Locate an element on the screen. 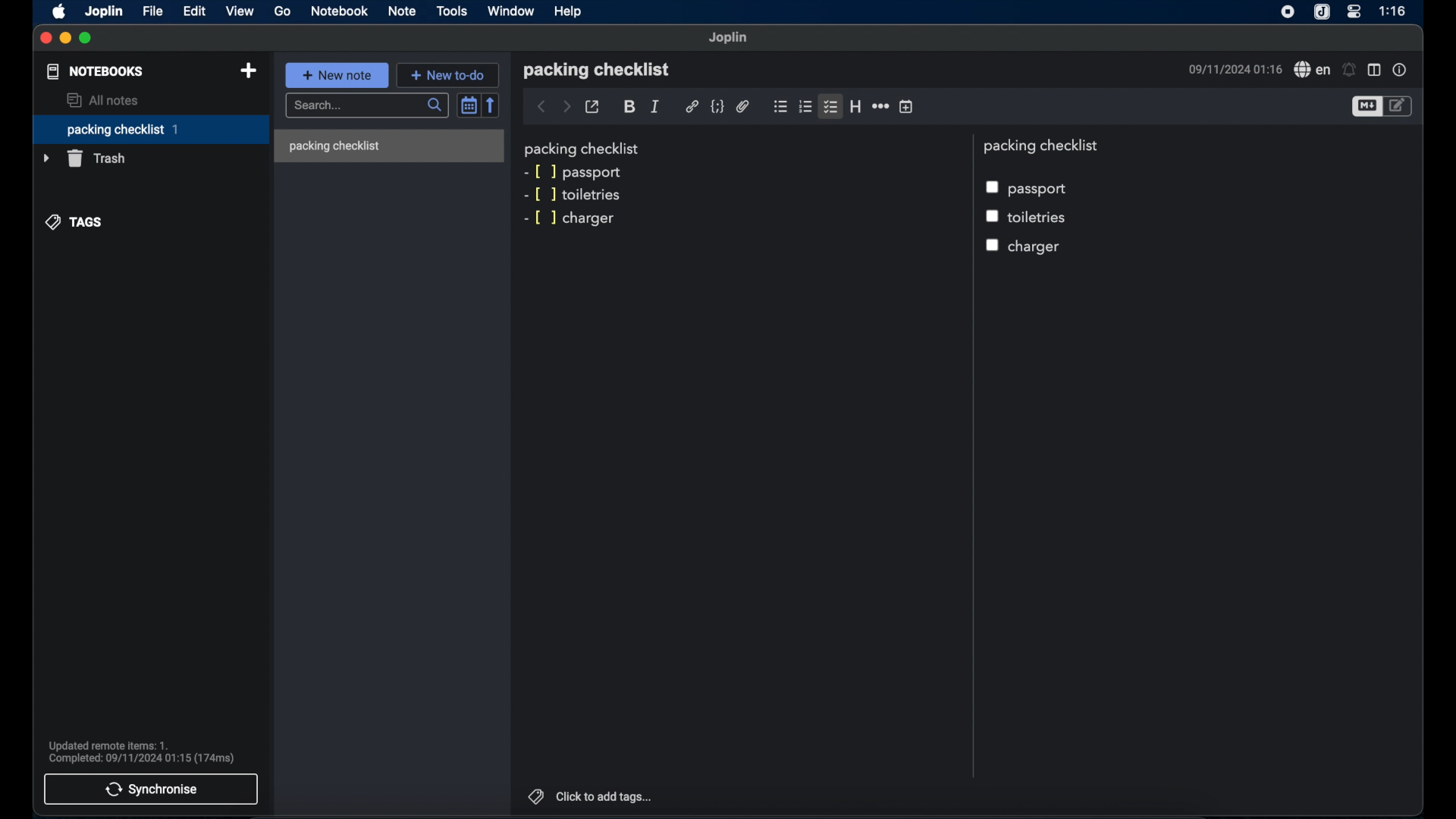 The image size is (1456, 819). code is located at coordinates (717, 106).